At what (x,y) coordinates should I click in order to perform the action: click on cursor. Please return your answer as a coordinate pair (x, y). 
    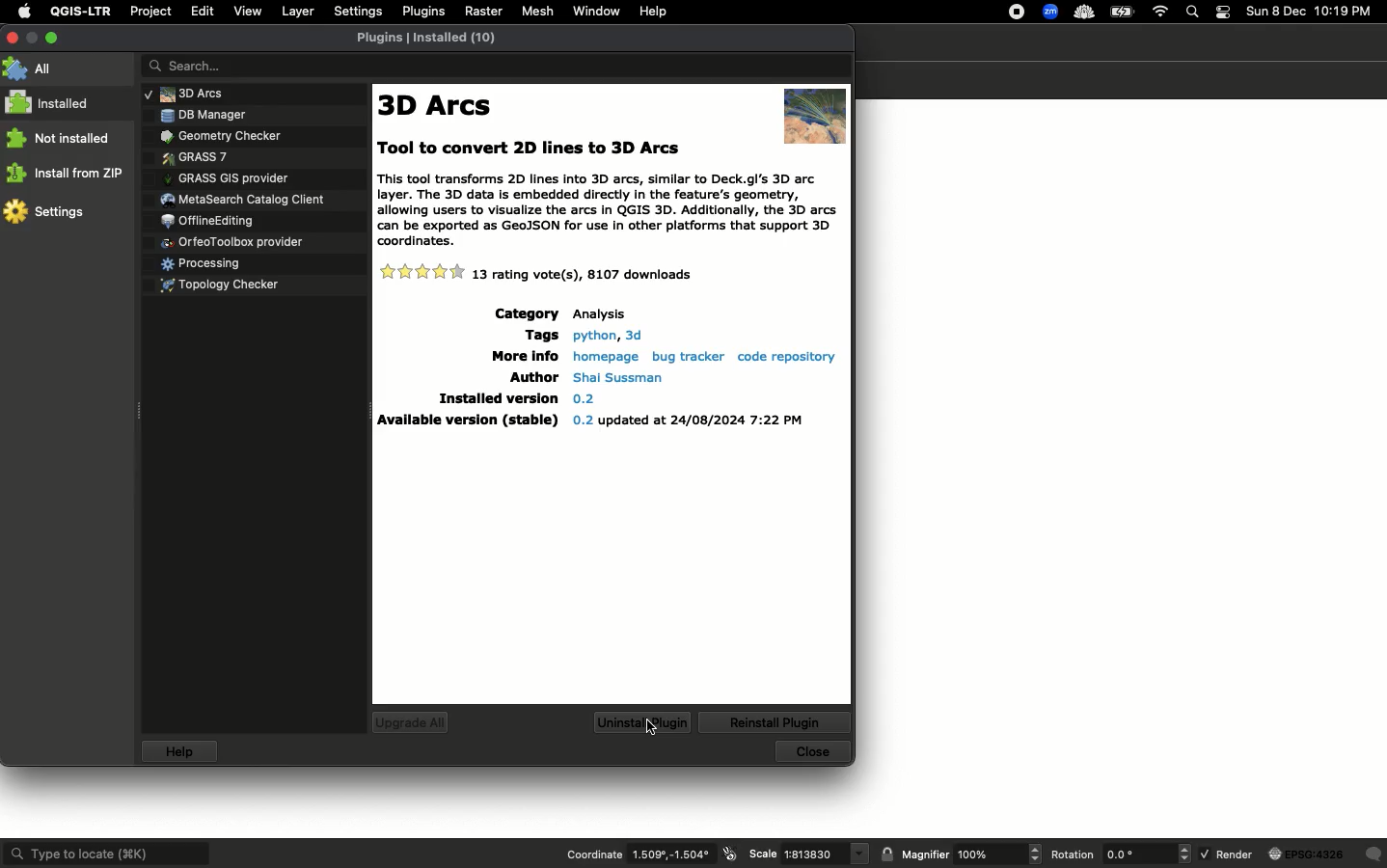
    Looking at the image, I should click on (652, 727).